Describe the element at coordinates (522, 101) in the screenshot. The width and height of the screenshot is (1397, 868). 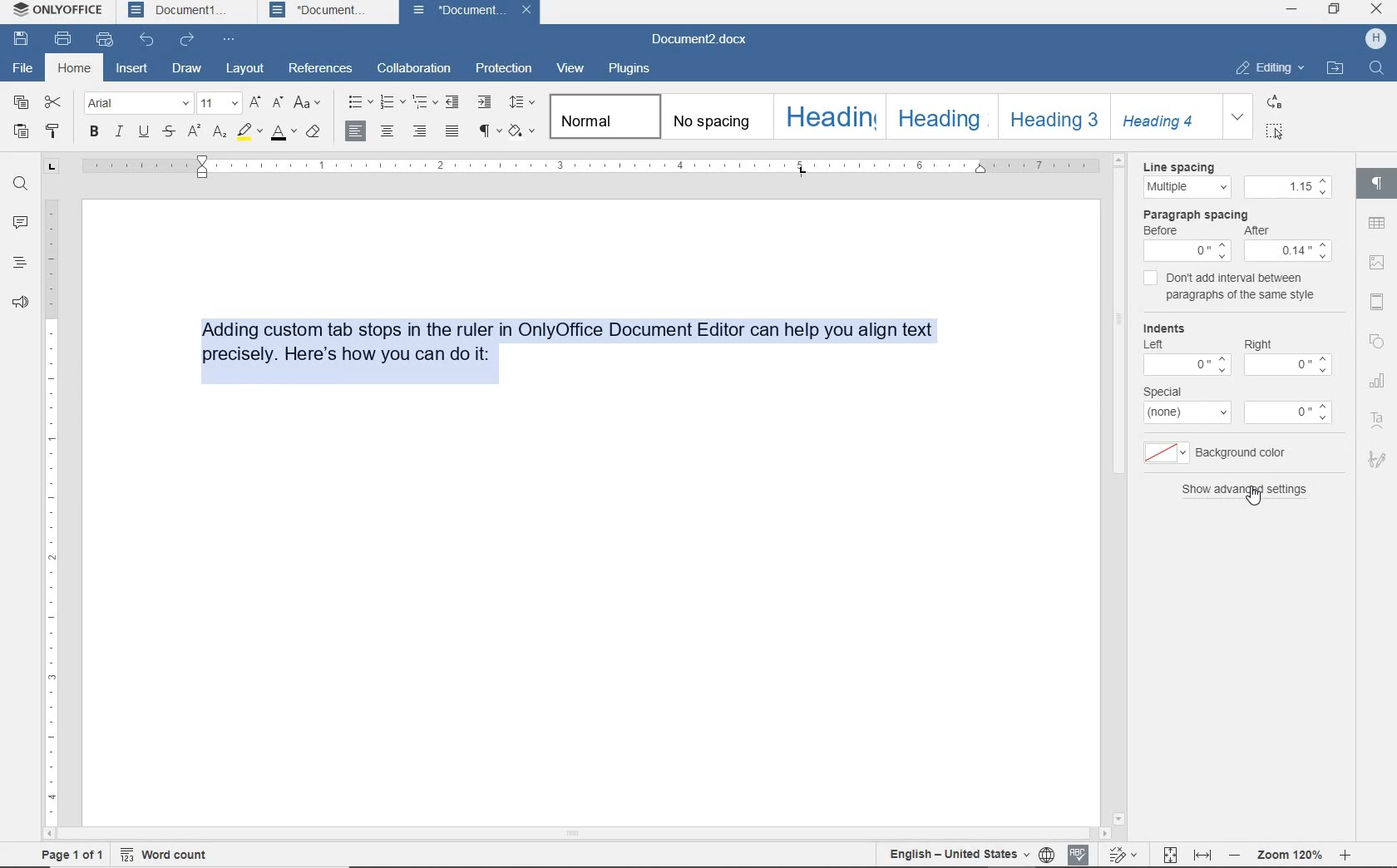
I see `paragraph line spacing` at that location.